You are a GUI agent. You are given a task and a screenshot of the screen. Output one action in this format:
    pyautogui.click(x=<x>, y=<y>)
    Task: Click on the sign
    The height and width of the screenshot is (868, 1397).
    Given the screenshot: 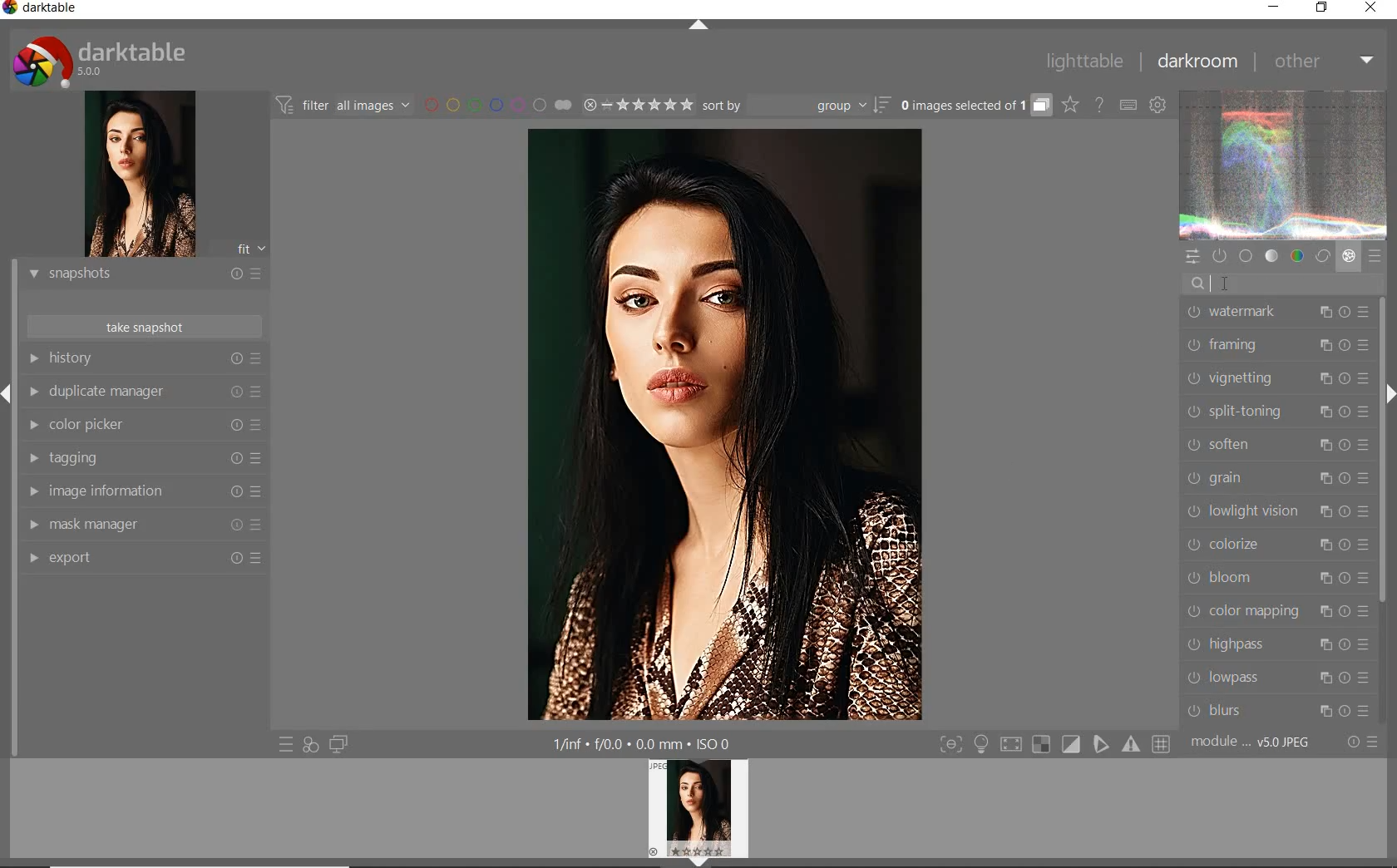 What is the action you would take?
    pyautogui.click(x=1103, y=745)
    